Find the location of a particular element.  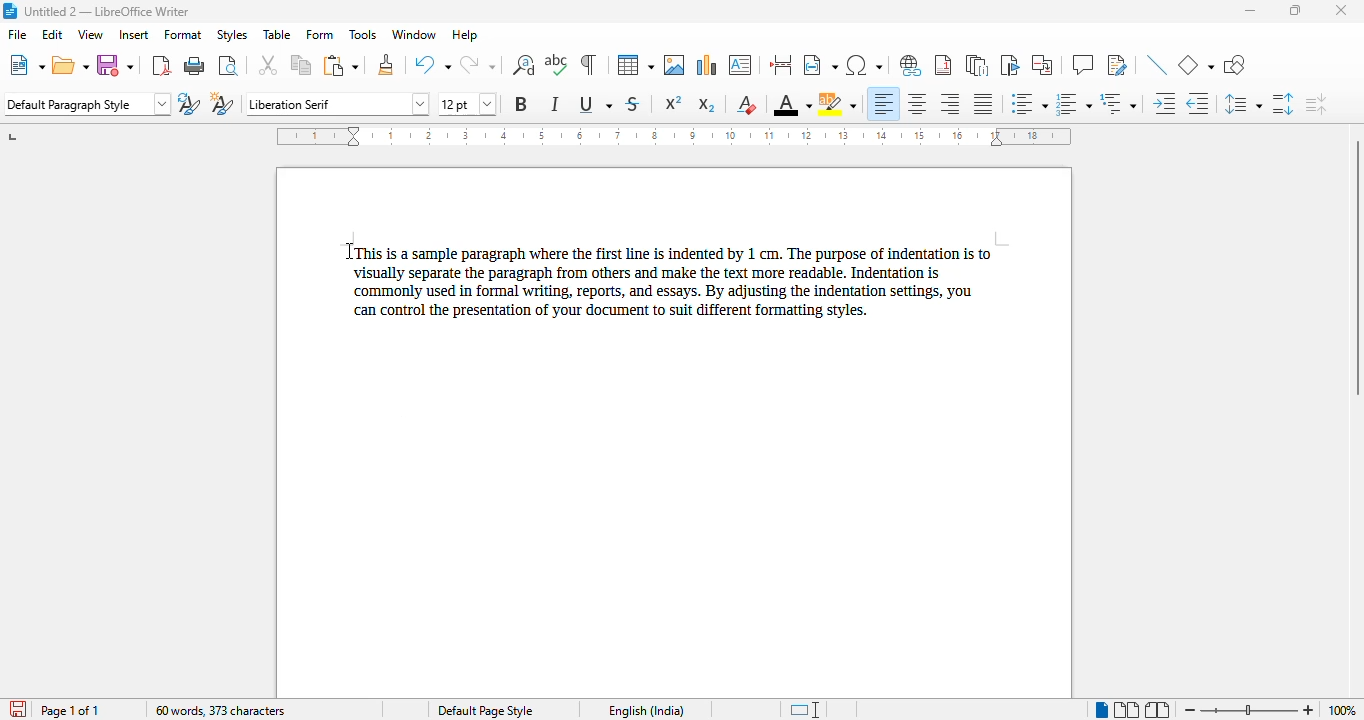

clone formatting is located at coordinates (385, 65).